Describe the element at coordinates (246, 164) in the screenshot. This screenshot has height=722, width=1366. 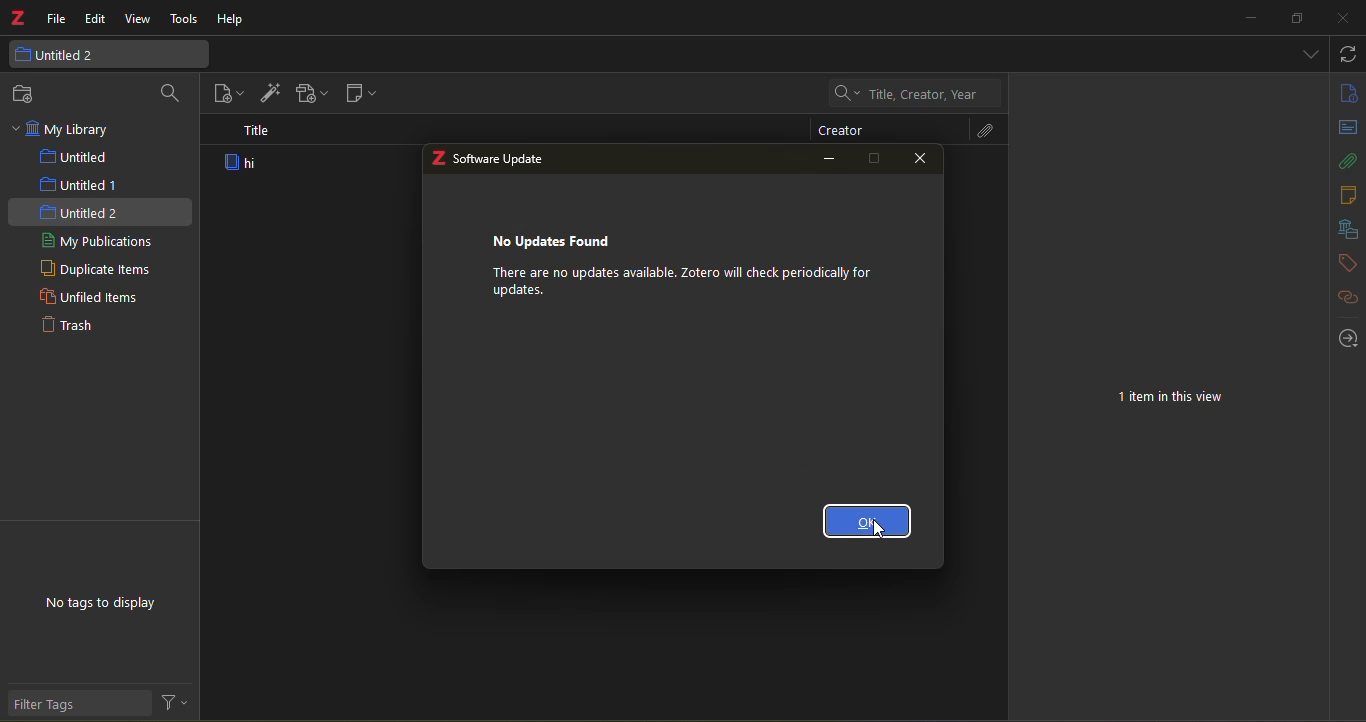
I see `item` at that location.